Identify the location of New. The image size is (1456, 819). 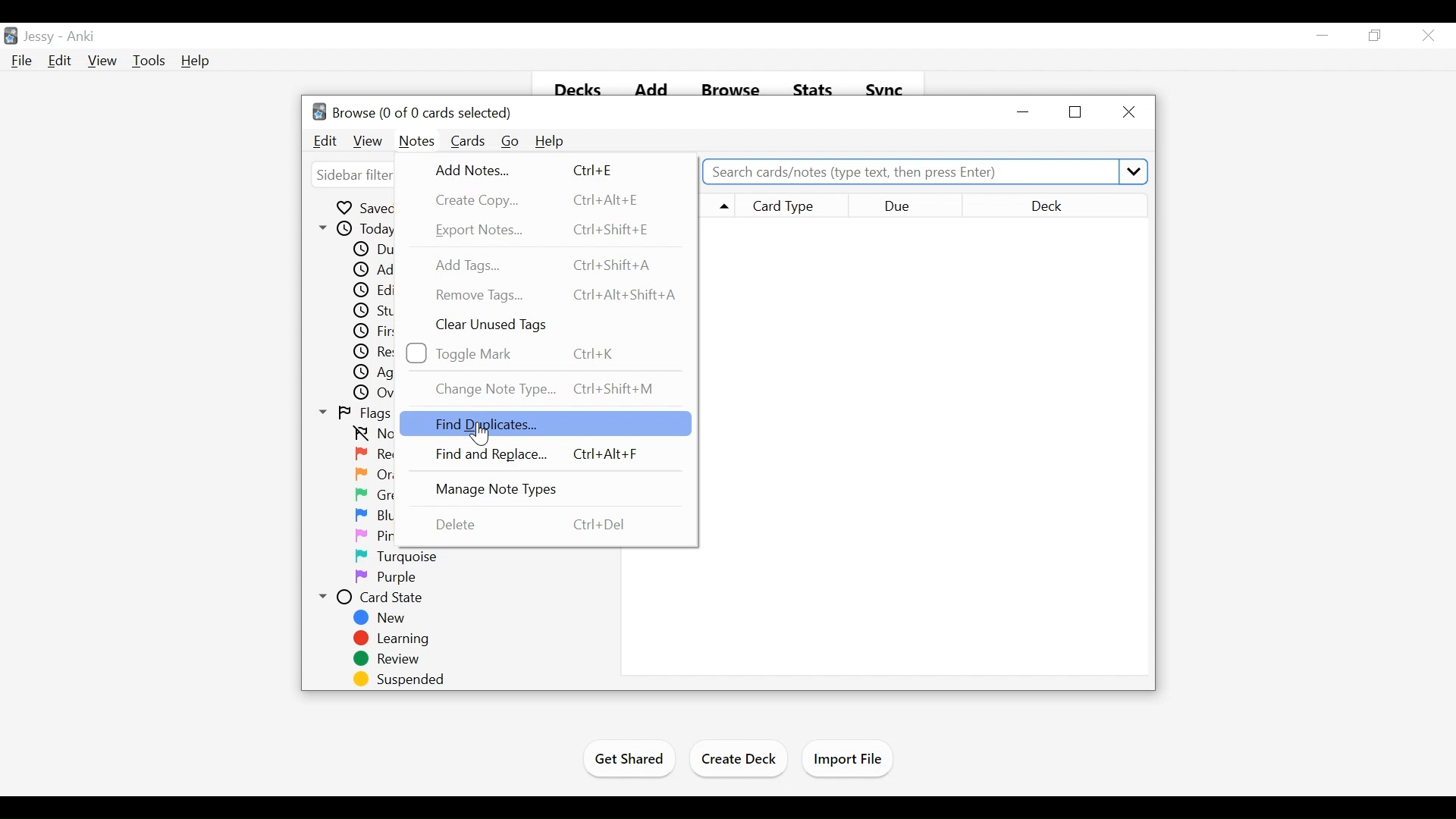
(384, 618).